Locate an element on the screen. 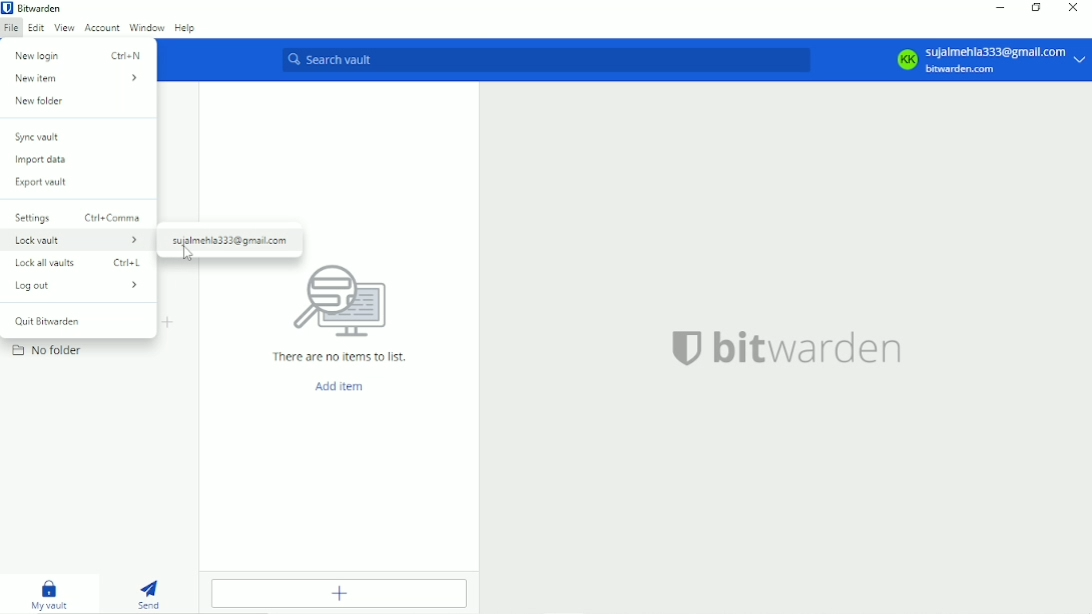  Minimize is located at coordinates (1001, 10).